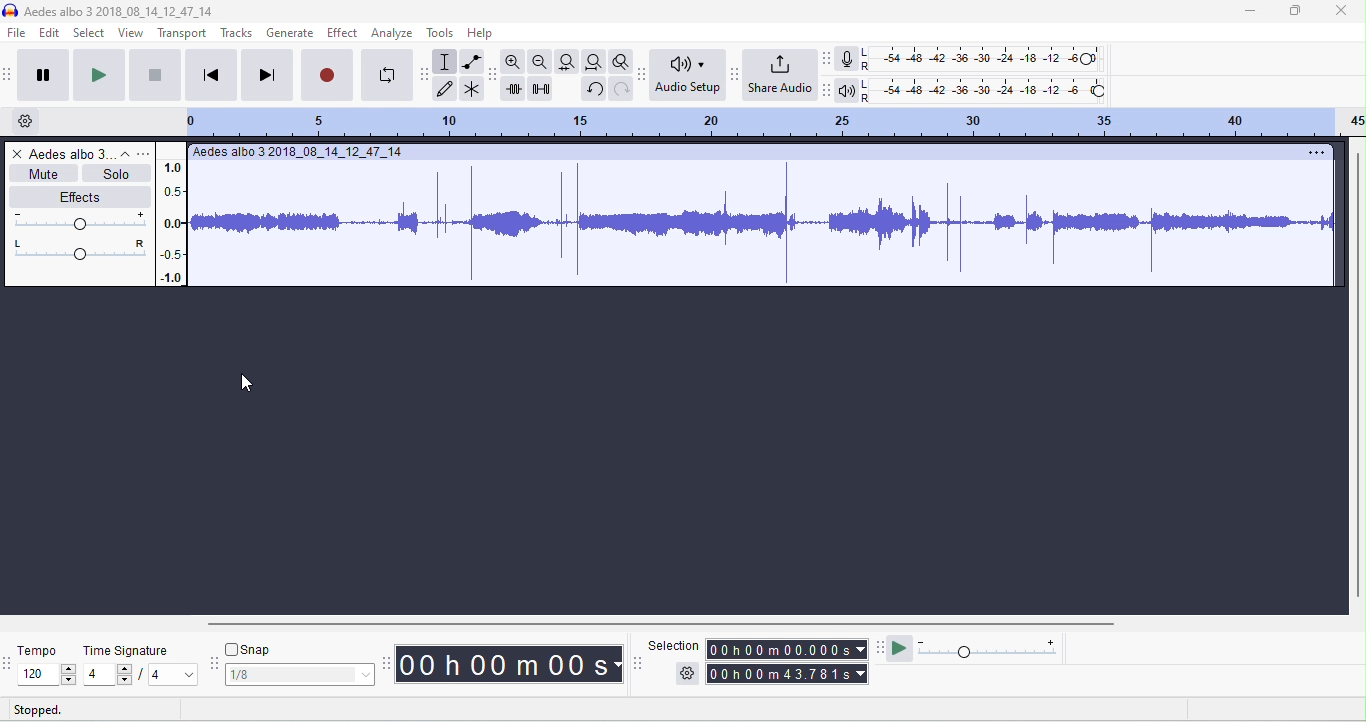 The height and width of the screenshot is (722, 1366). Describe the element at coordinates (16, 32) in the screenshot. I see `file` at that location.